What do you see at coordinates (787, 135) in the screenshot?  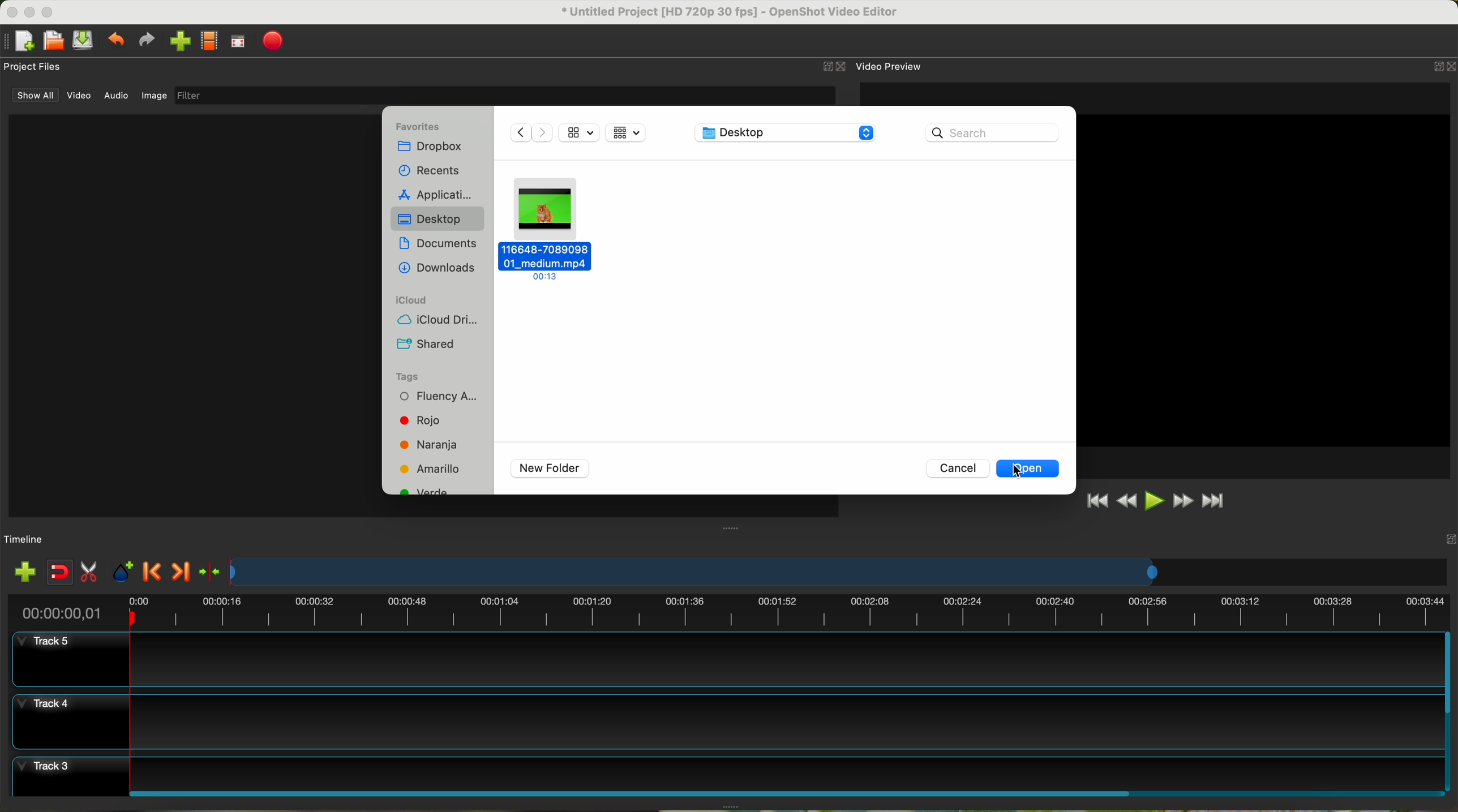 I see `desktop` at bounding box center [787, 135].